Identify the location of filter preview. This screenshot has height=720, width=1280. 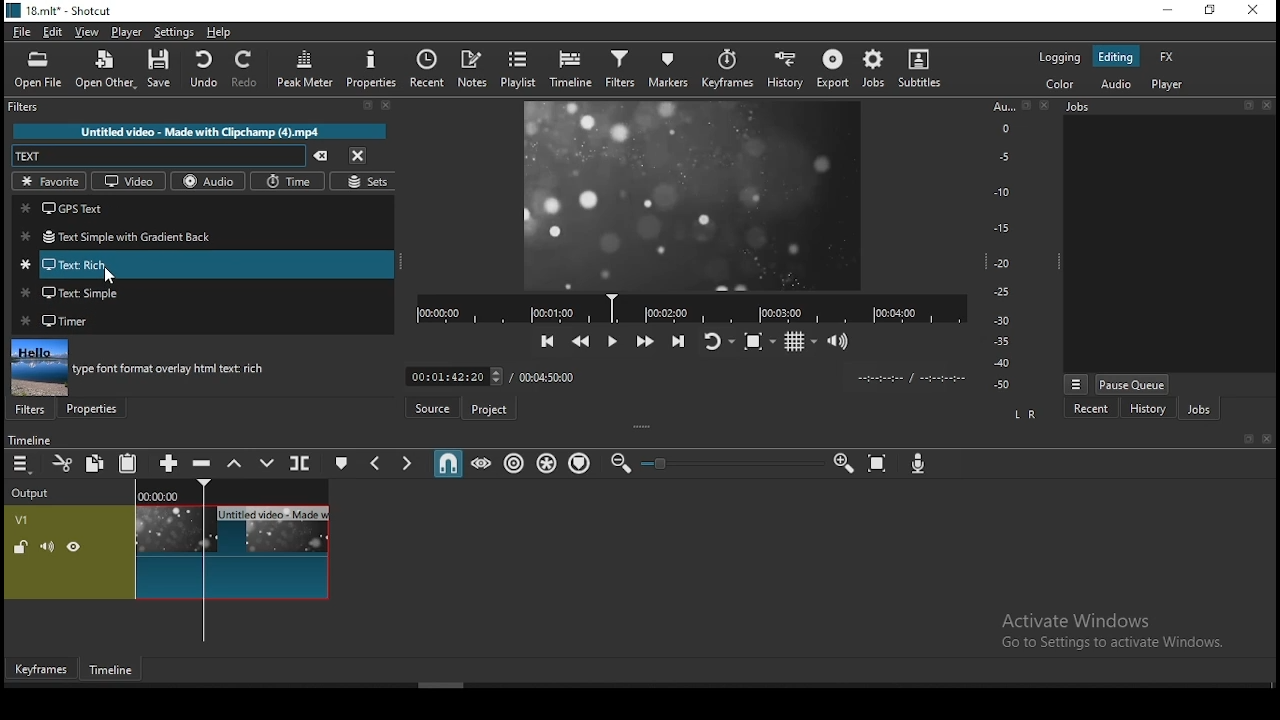
(203, 367).